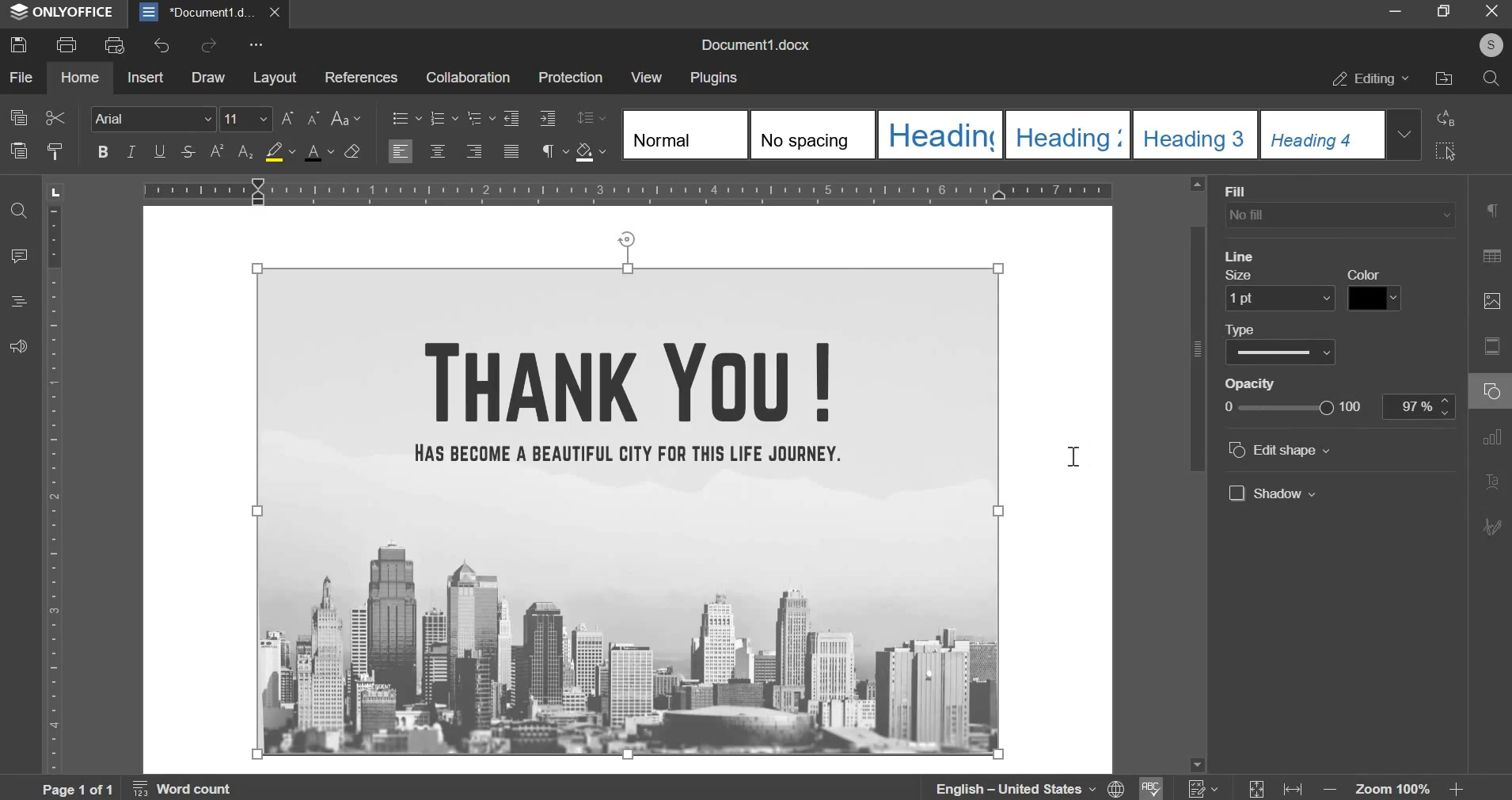  I want to click on collaboration, so click(468, 77).